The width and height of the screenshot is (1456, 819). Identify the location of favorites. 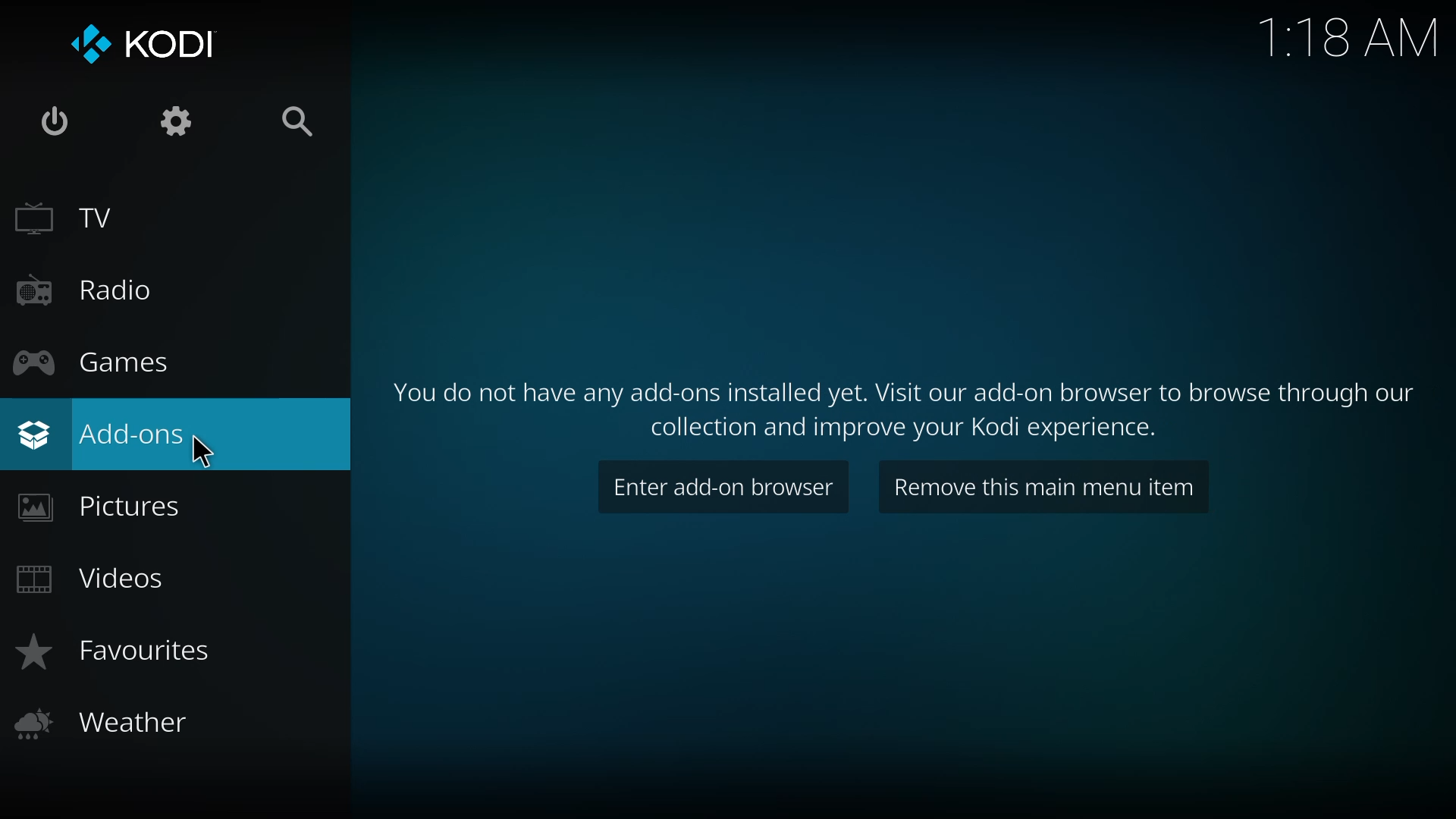
(117, 650).